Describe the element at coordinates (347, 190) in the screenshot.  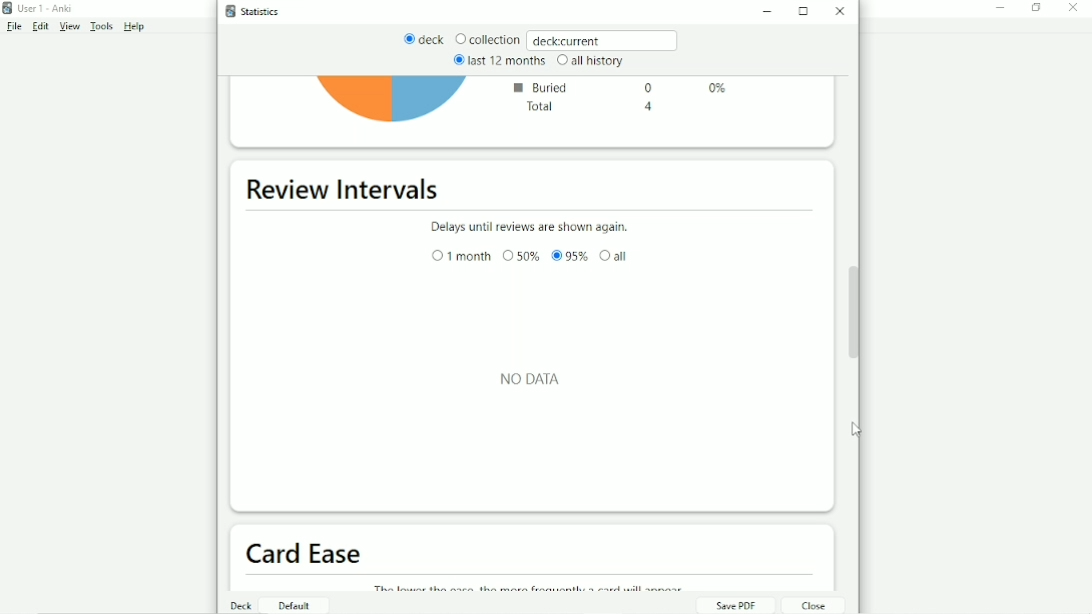
I see `Review Intervals` at that location.